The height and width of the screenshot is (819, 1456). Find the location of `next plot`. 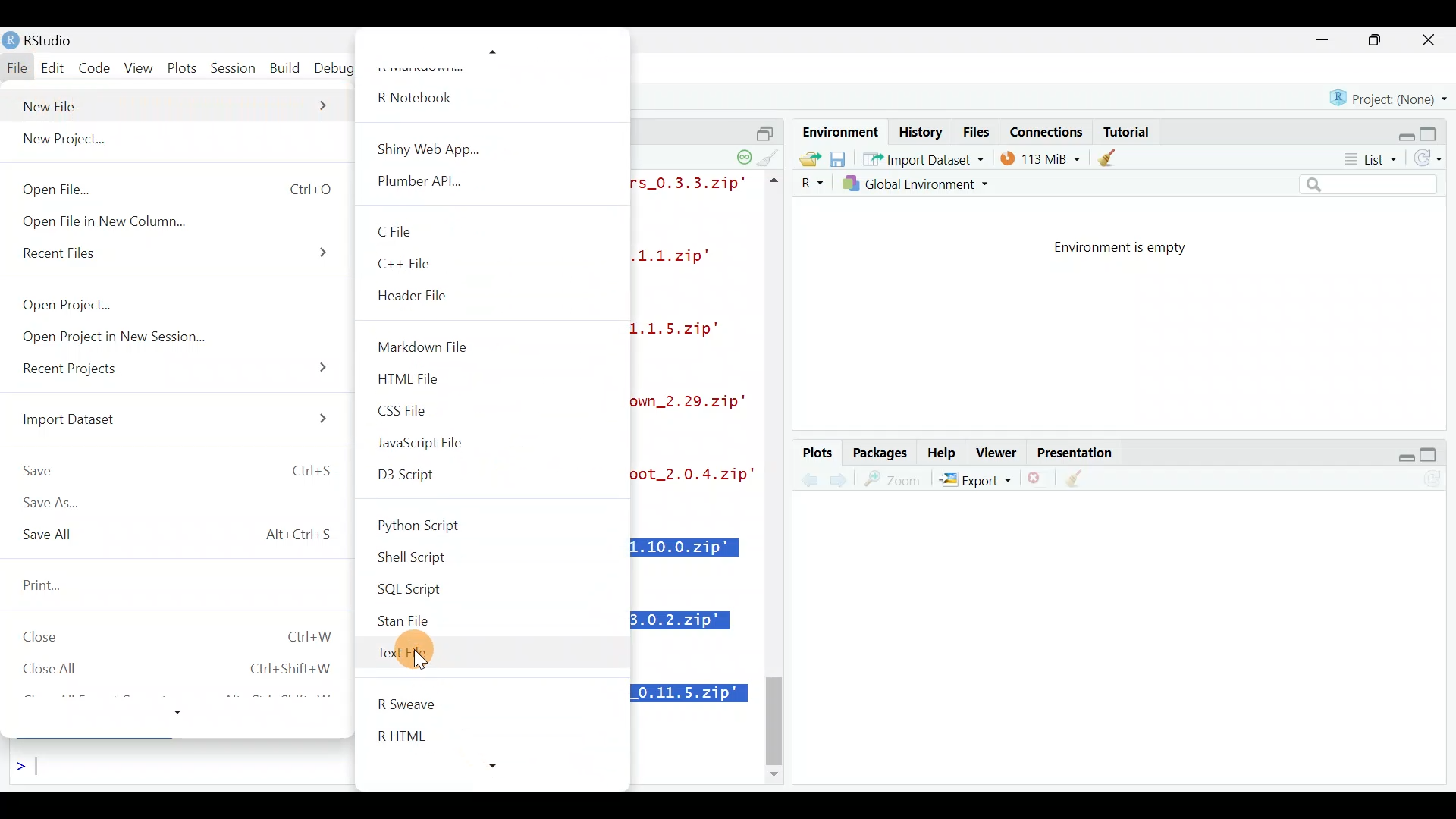

next plot is located at coordinates (809, 480).